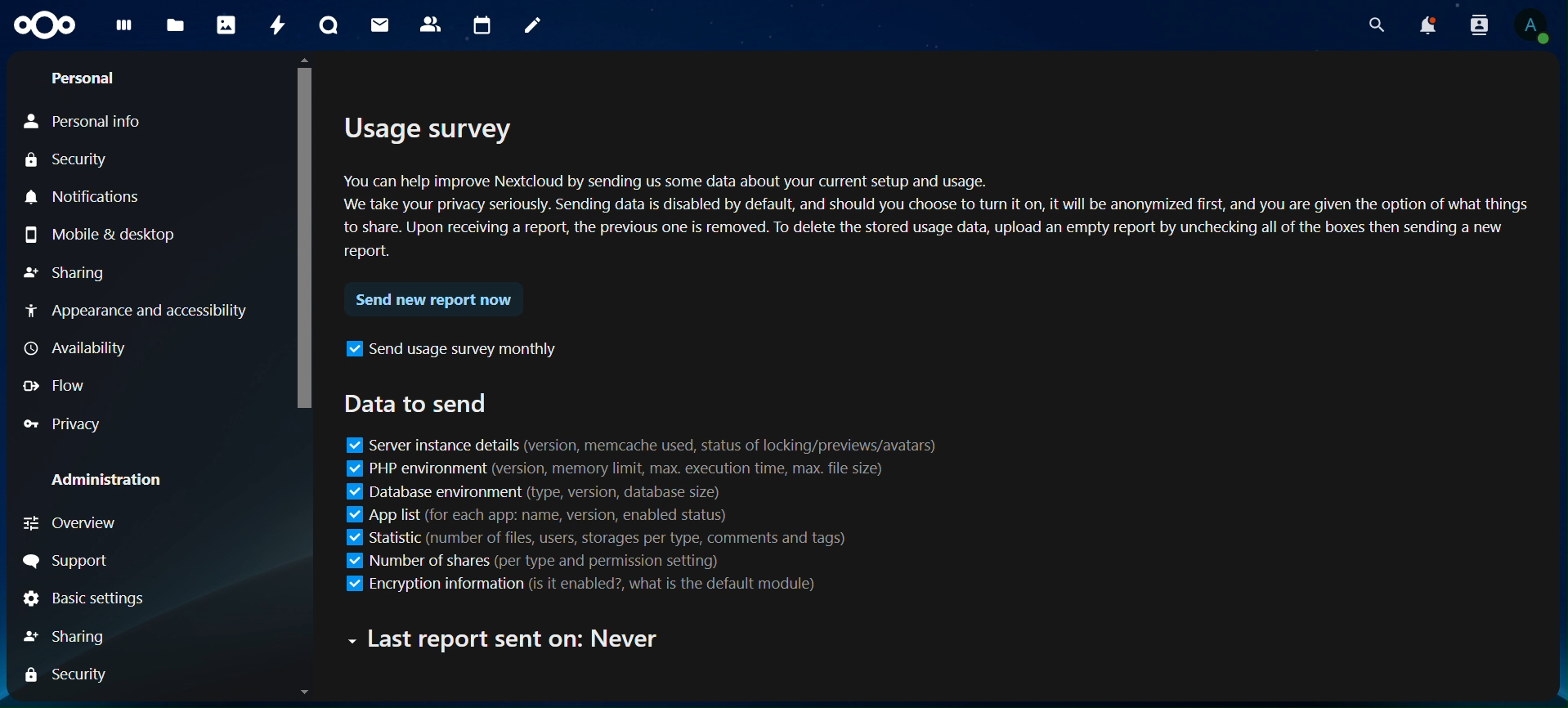 This screenshot has height=708, width=1568. I want to click on Personal, so click(82, 78).